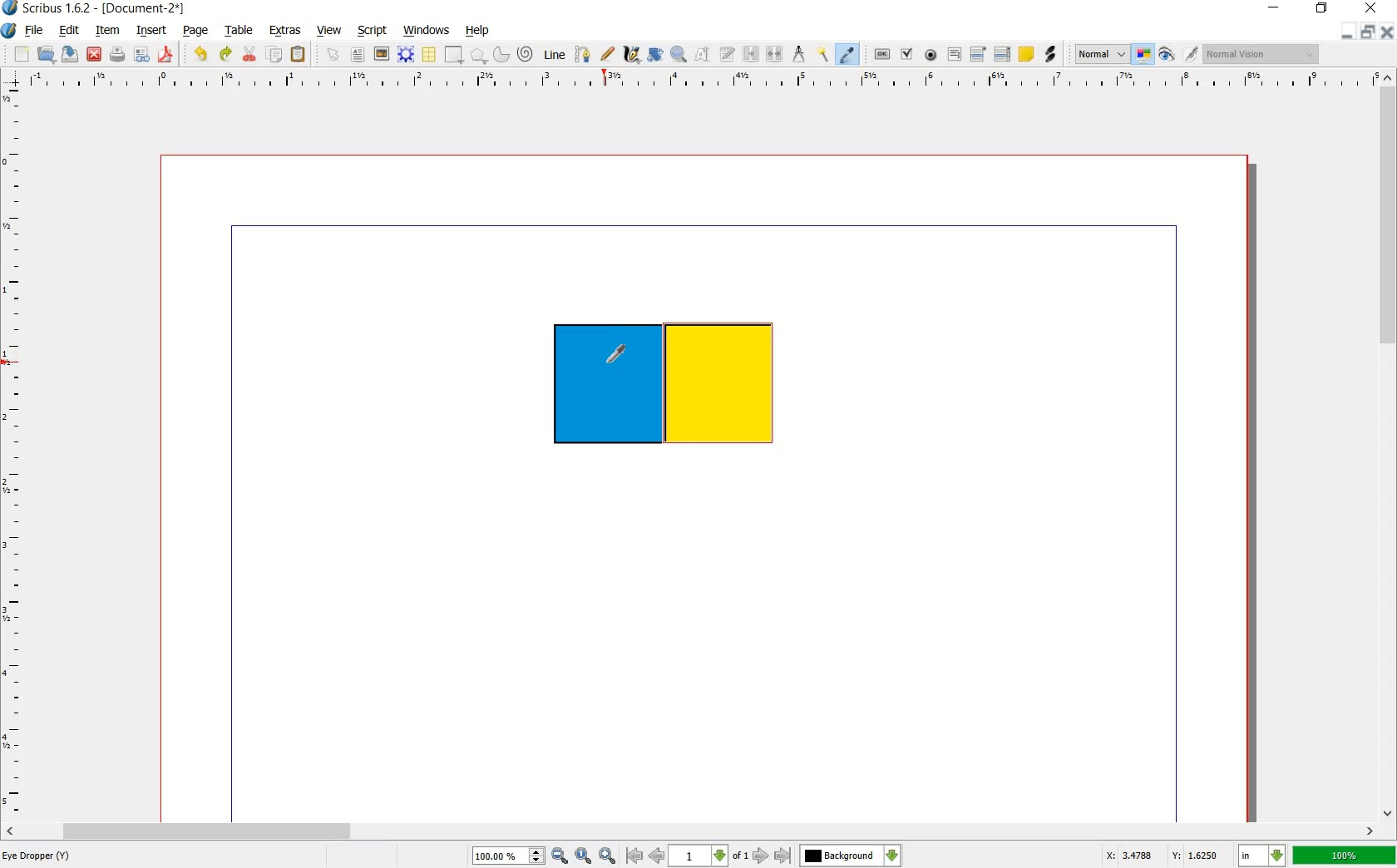 The width and height of the screenshot is (1397, 868). What do you see at coordinates (691, 830) in the screenshot?
I see `scrollbar` at bounding box center [691, 830].